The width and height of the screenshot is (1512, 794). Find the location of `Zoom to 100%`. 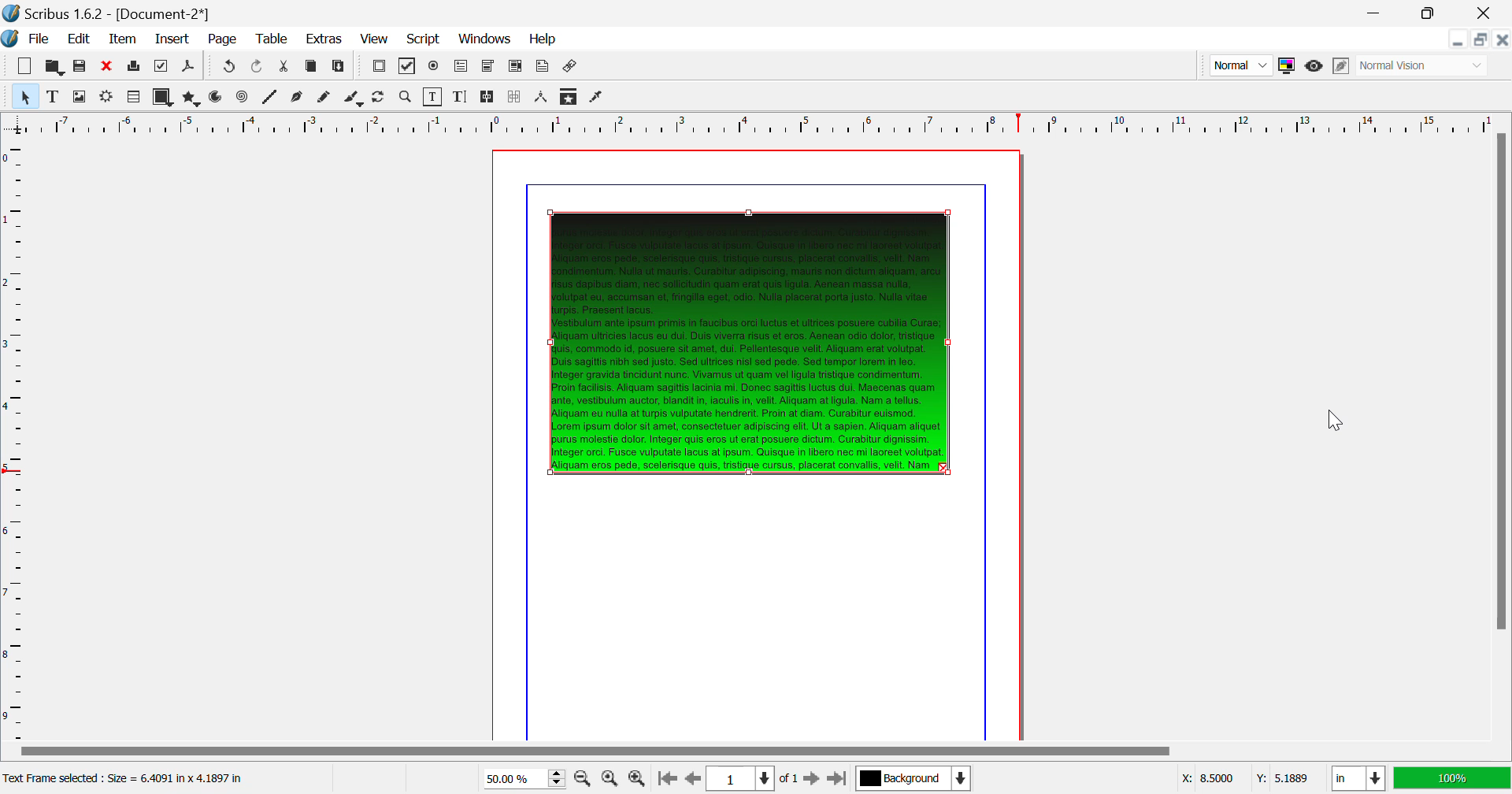

Zoom to 100% is located at coordinates (610, 778).